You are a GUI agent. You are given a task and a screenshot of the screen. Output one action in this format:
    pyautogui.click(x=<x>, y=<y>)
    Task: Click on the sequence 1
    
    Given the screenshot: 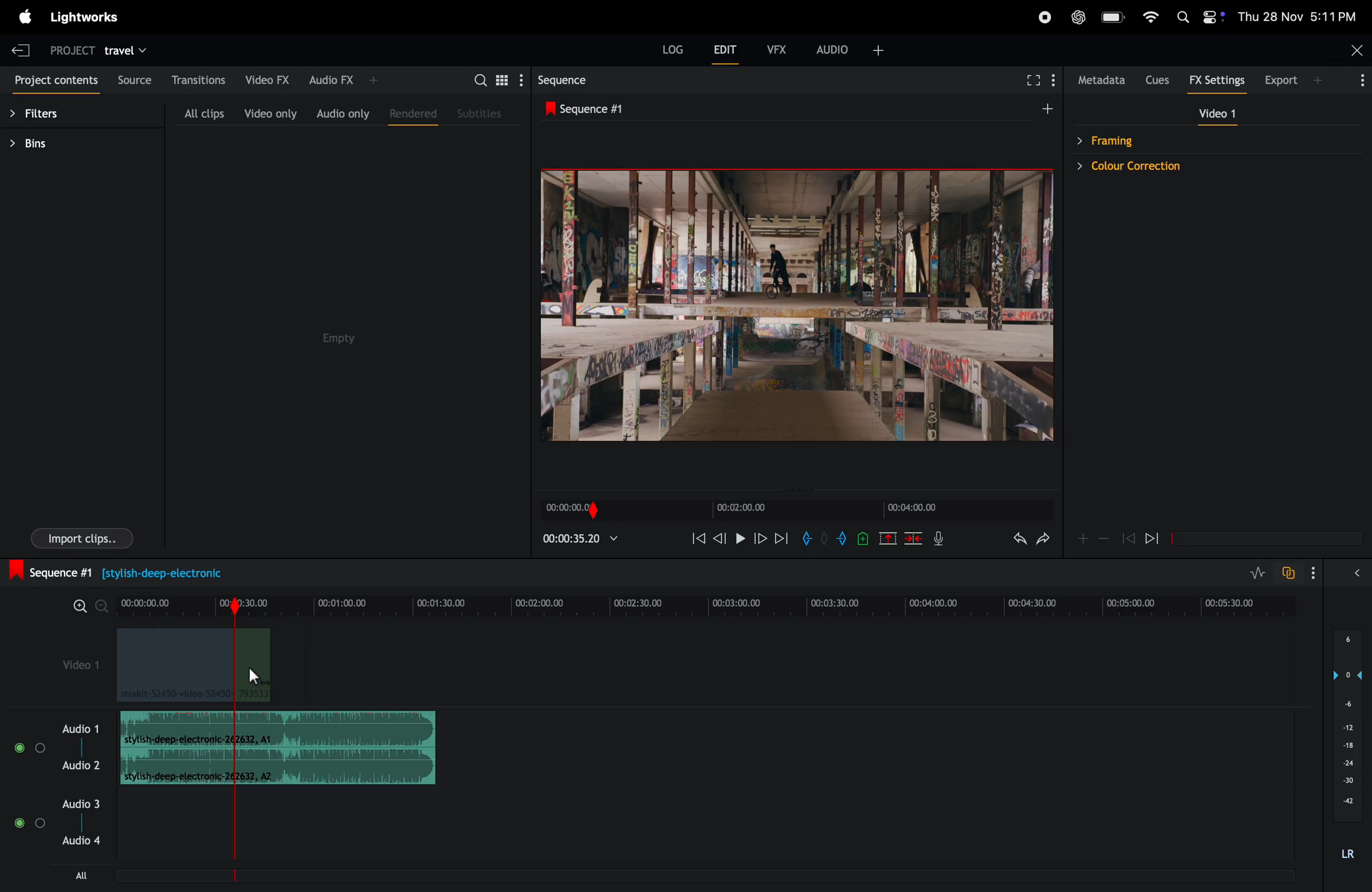 What is the action you would take?
    pyautogui.click(x=664, y=109)
    